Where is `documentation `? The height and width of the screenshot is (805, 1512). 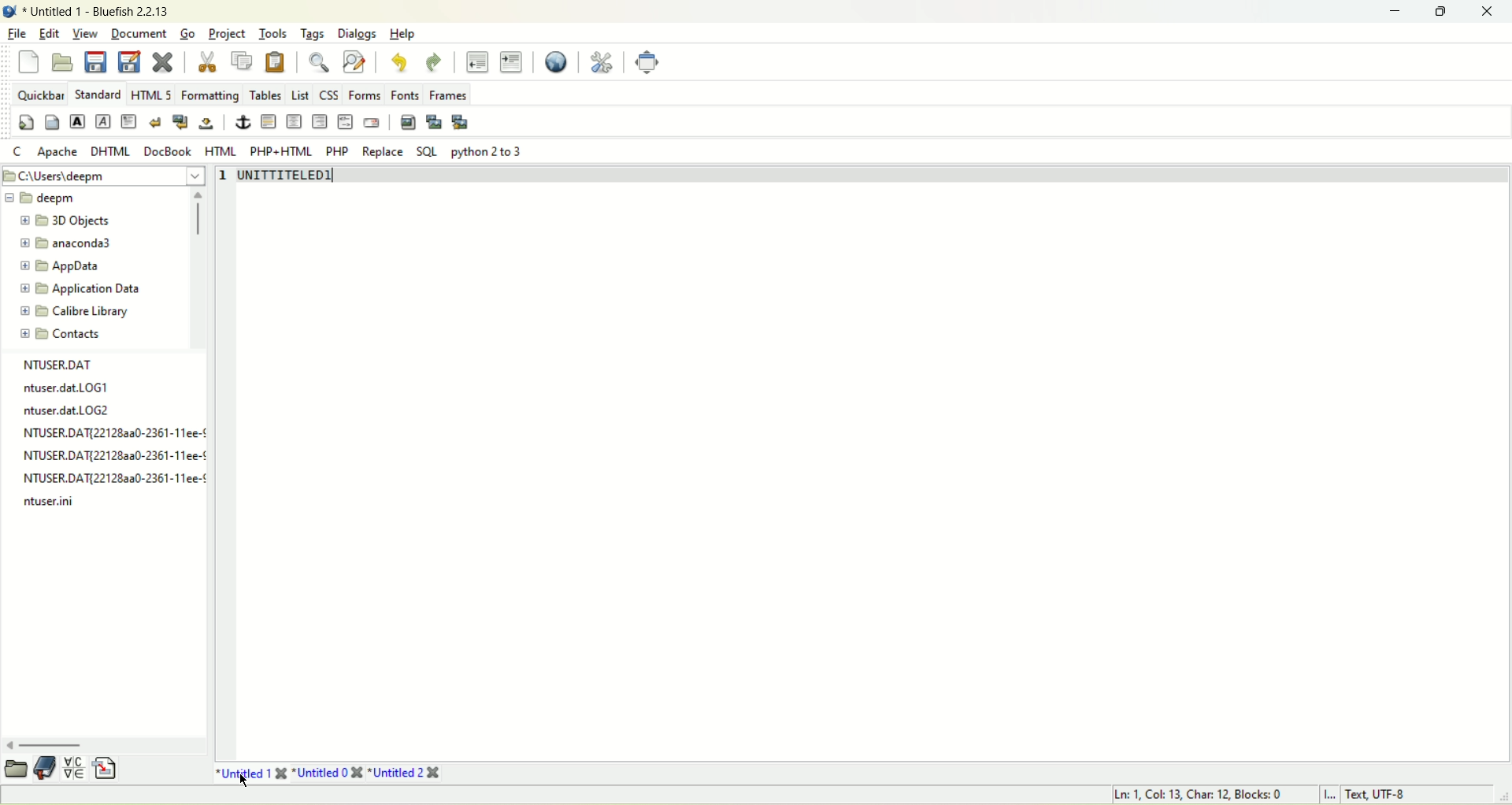 documentation  is located at coordinates (44, 770).